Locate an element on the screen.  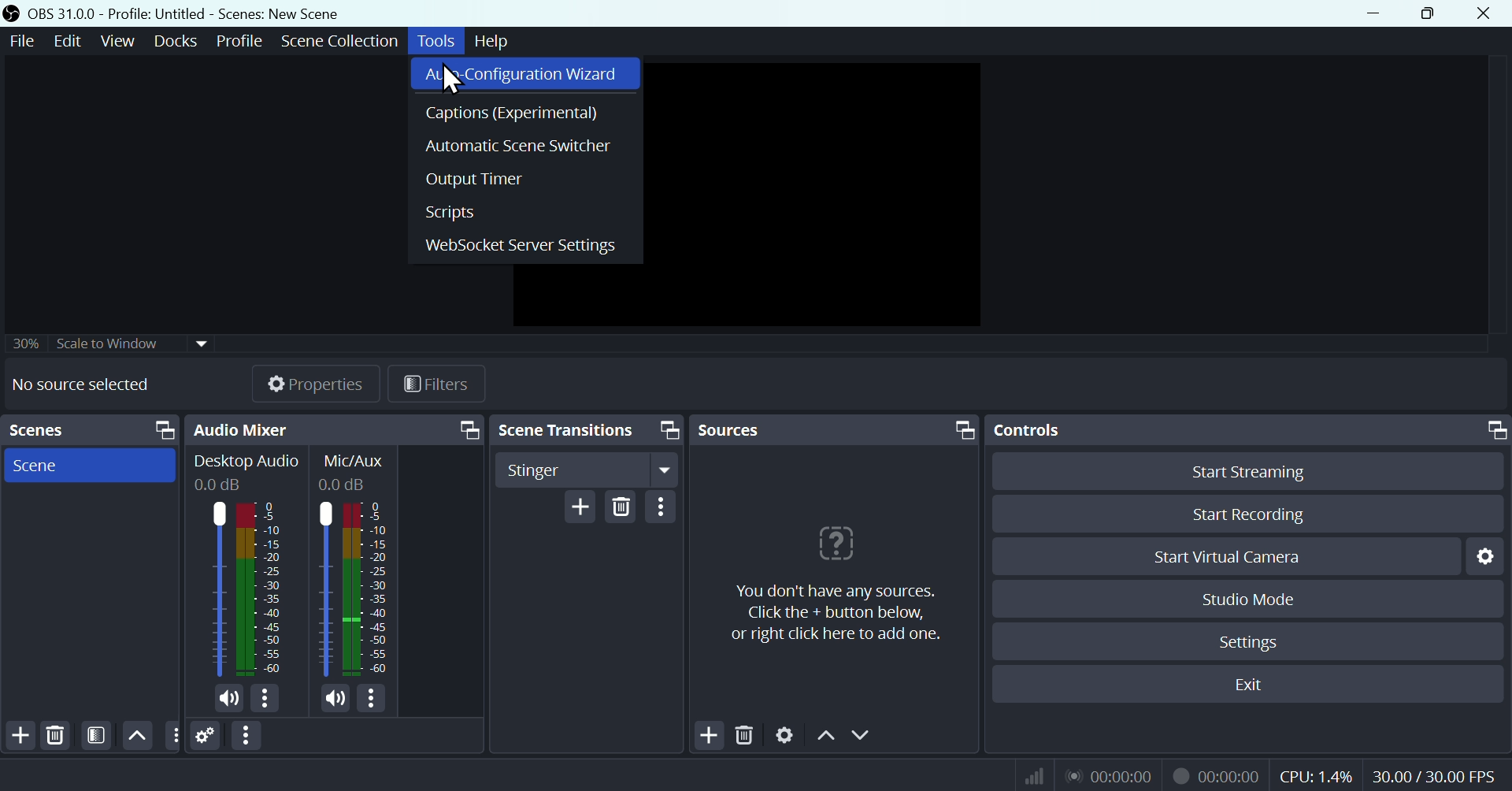
Output timer is located at coordinates (524, 176).